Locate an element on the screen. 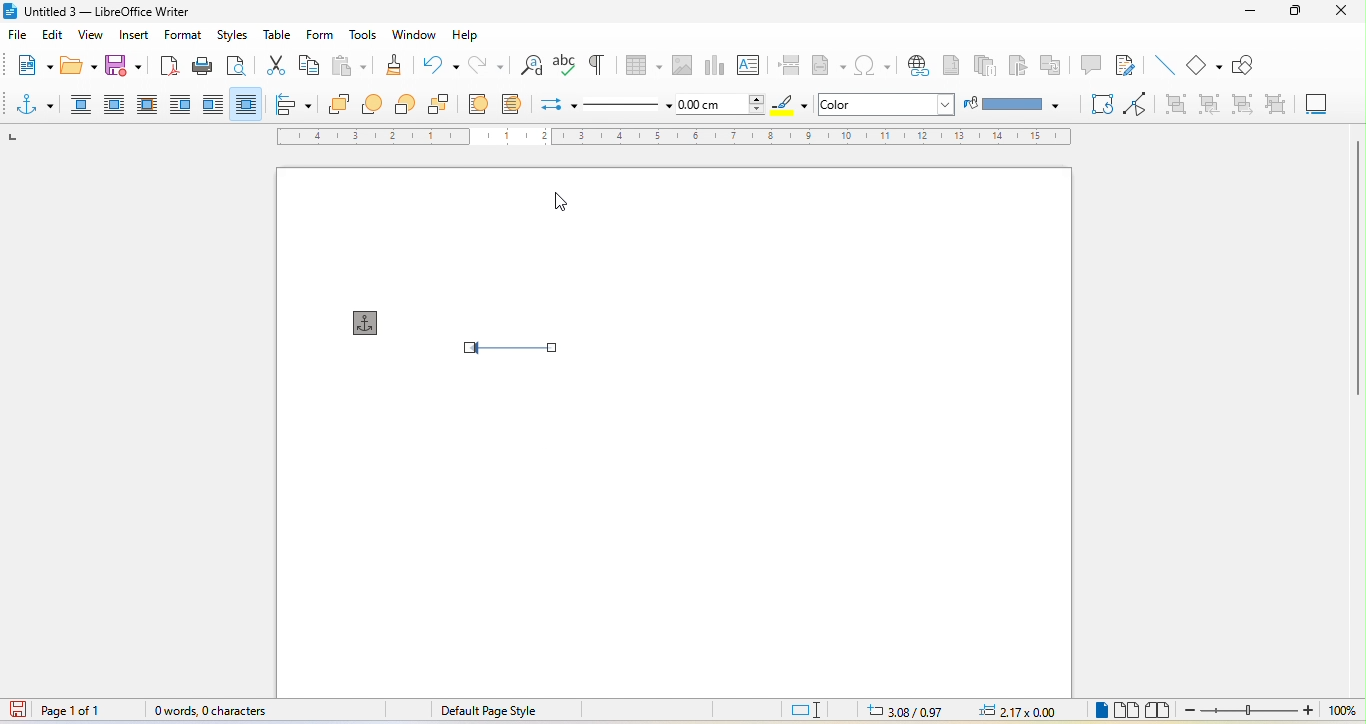 The image size is (1366, 724). optimal is located at coordinates (148, 103).